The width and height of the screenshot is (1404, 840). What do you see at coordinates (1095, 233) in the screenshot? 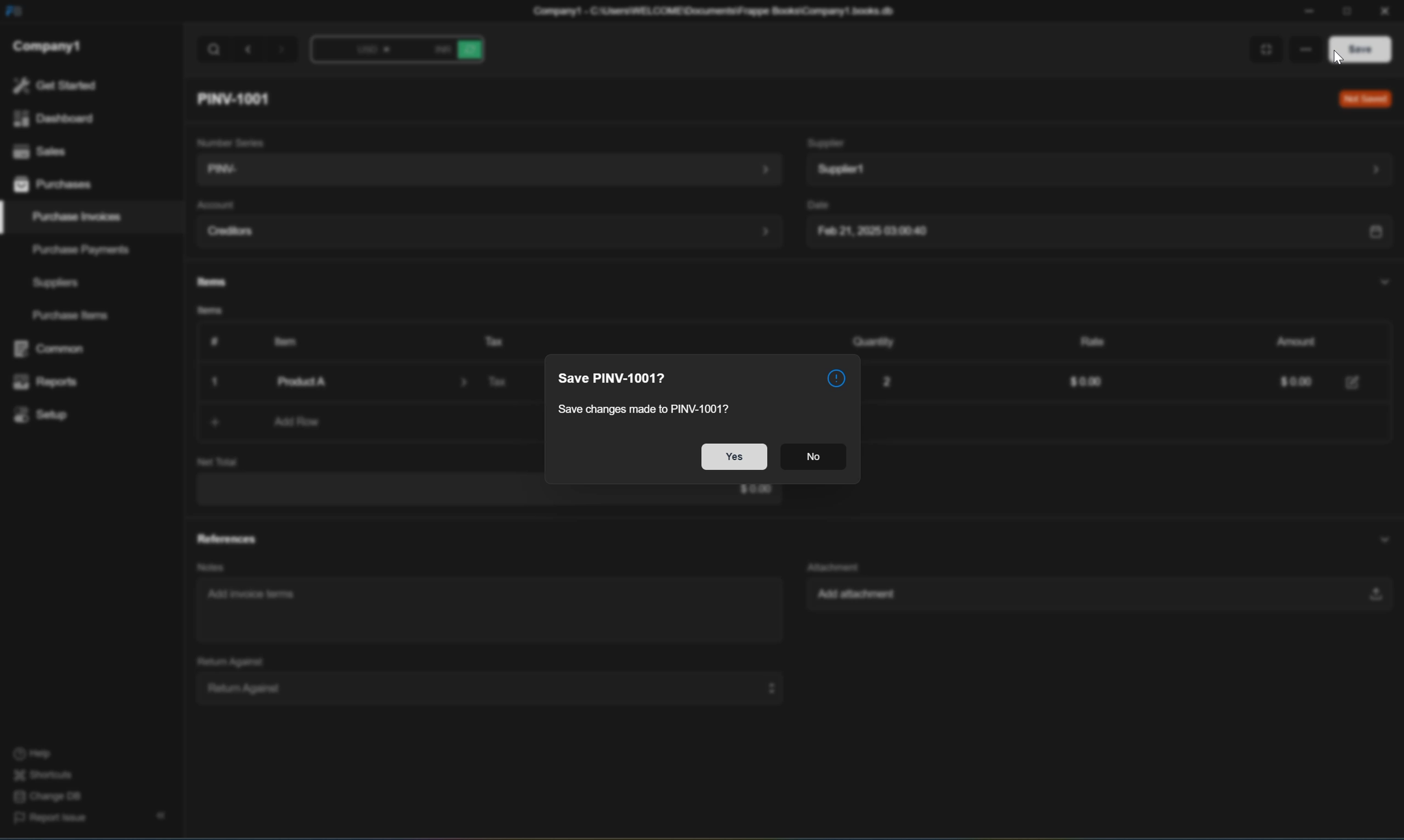
I see `Feb 21, 2025 03:00:40` at bounding box center [1095, 233].